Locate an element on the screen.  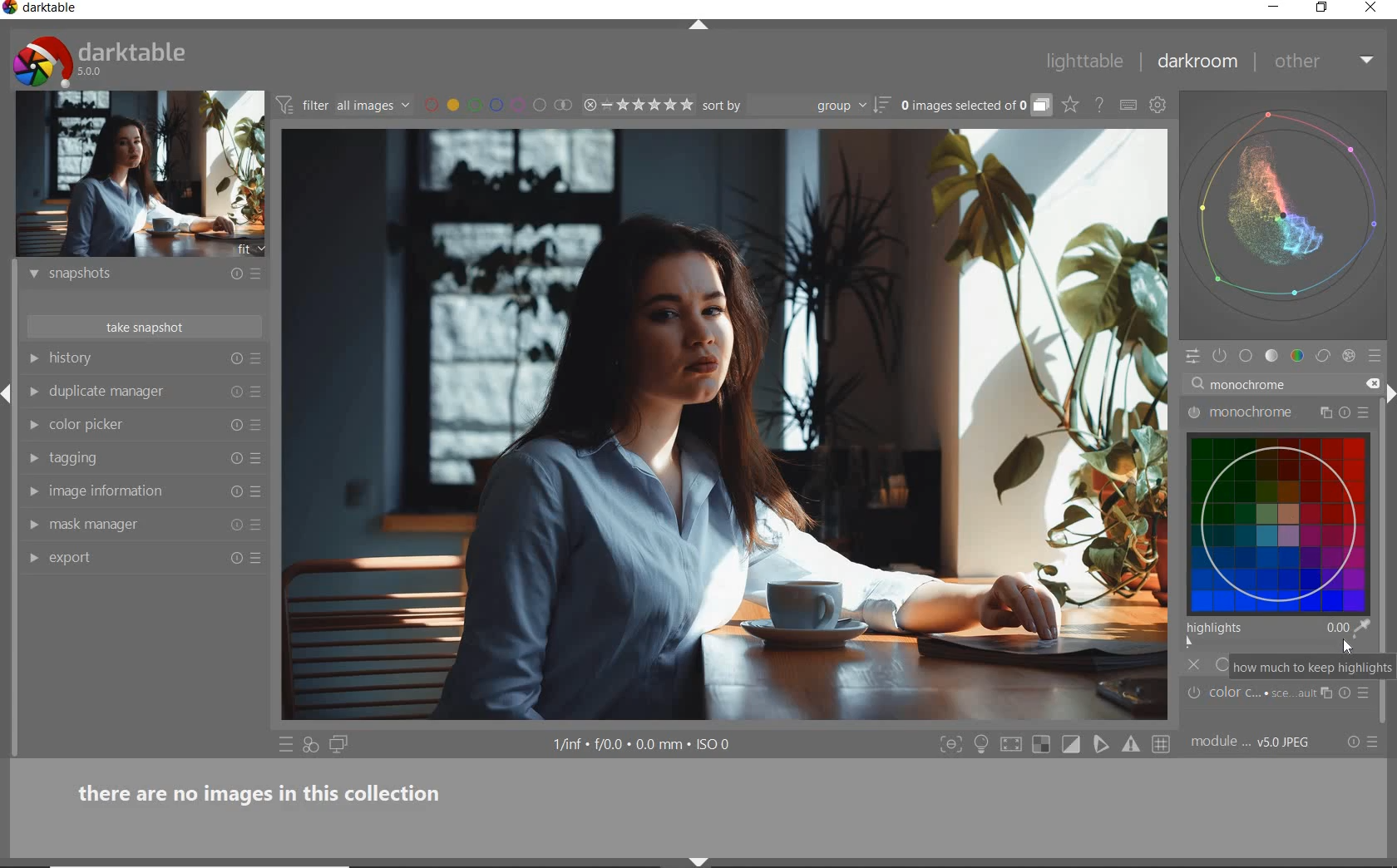
presets and preferences is located at coordinates (255, 274).